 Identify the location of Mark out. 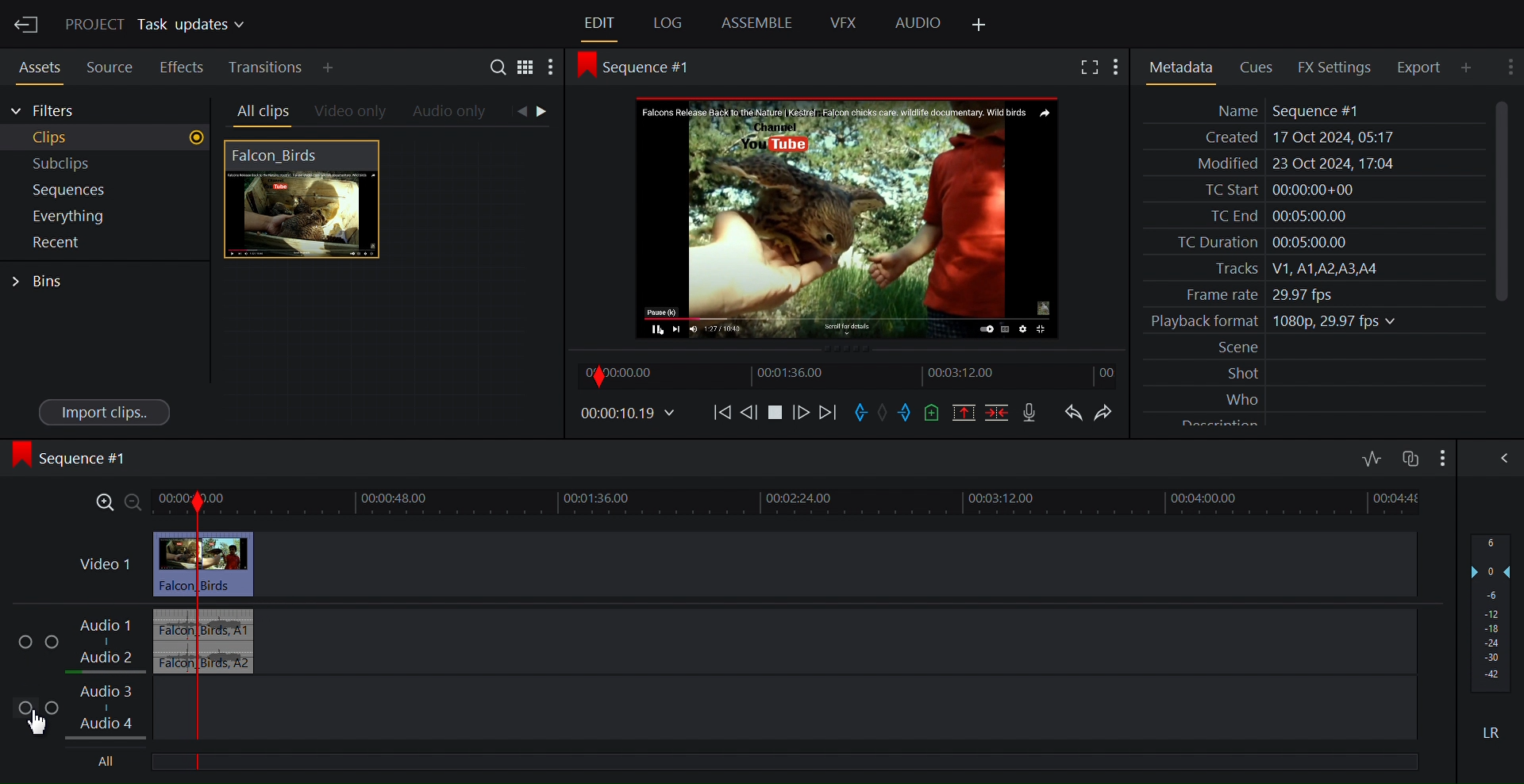
(907, 412).